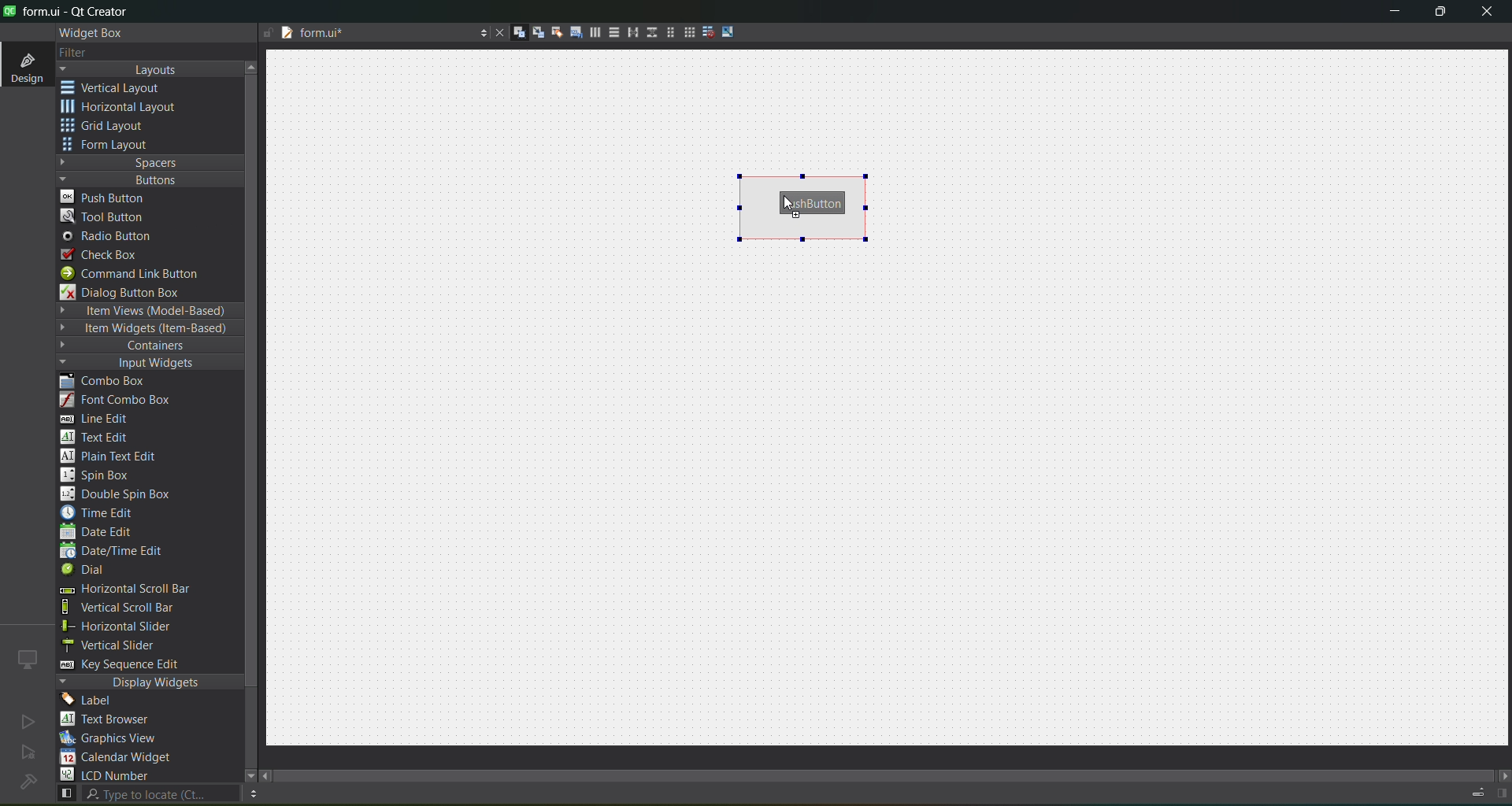 This screenshot has height=806, width=1512. I want to click on no active project, so click(28, 753).